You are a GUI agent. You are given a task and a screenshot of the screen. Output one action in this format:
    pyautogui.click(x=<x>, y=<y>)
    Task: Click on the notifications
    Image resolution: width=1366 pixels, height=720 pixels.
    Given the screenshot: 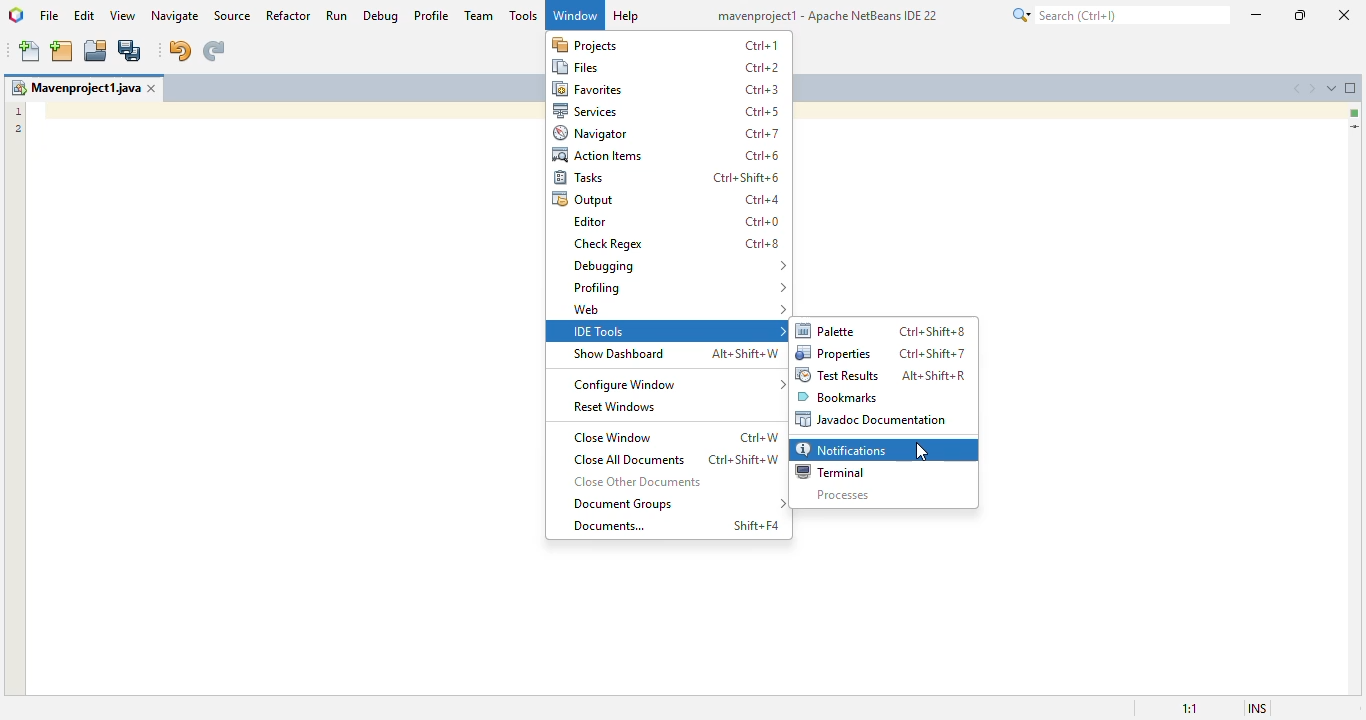 What is the action you would take?
    pyautogui.click(x=844, y=450)
    